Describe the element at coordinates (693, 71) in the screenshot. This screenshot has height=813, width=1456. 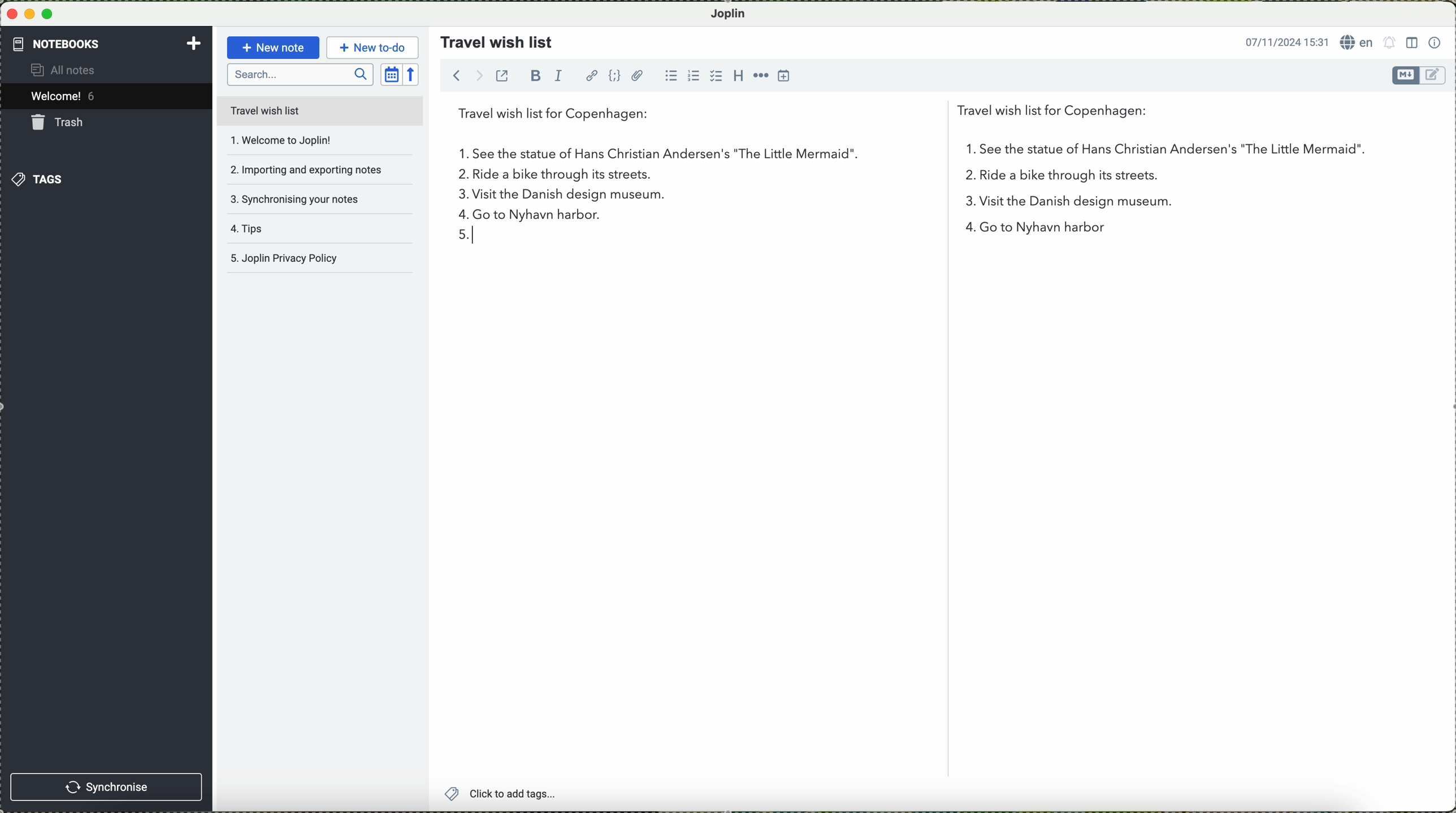
I see `numbered list` at that location.